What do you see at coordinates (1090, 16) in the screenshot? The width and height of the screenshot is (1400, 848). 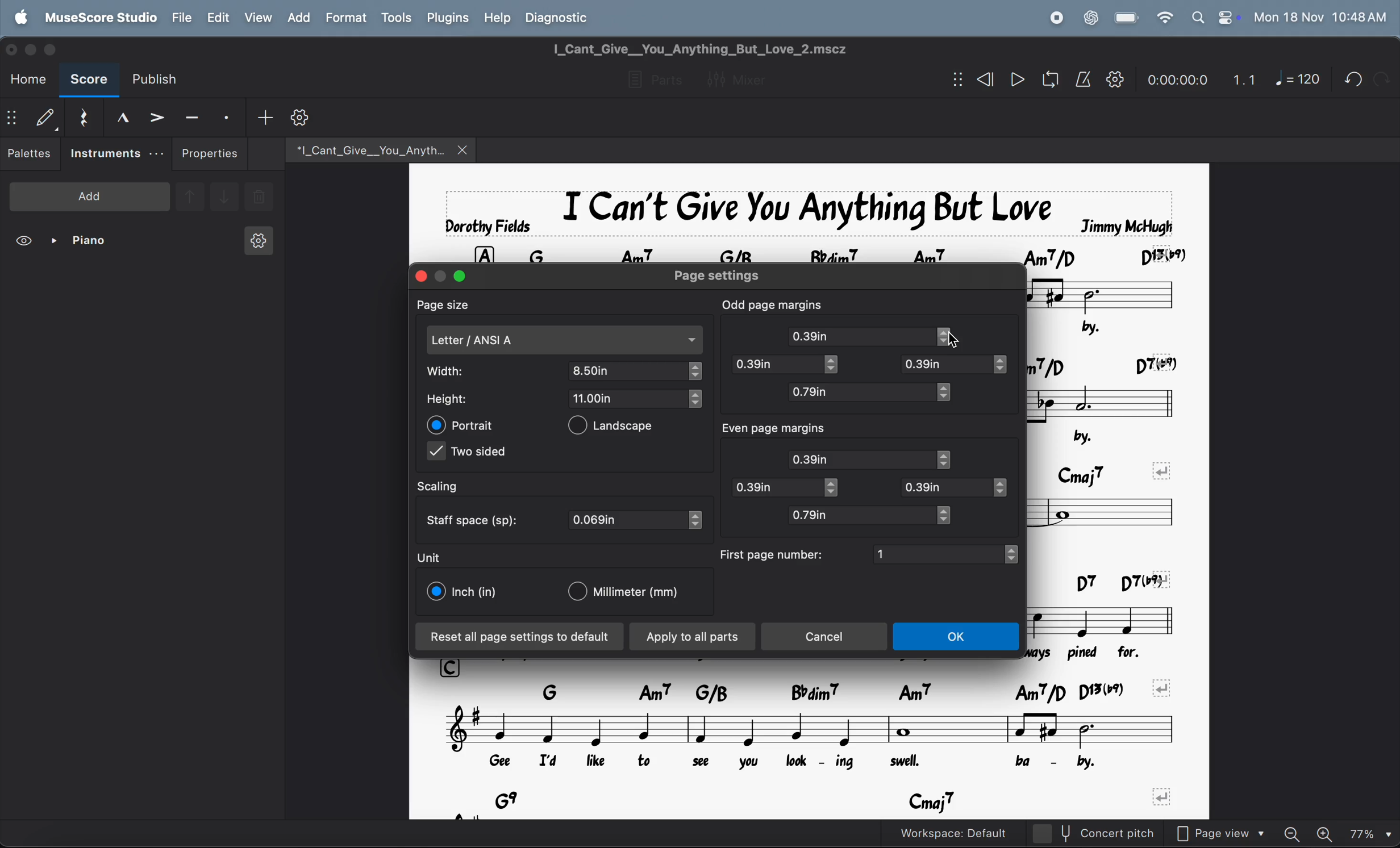 I see `chatgpt` at bounding box center [1090, 16].